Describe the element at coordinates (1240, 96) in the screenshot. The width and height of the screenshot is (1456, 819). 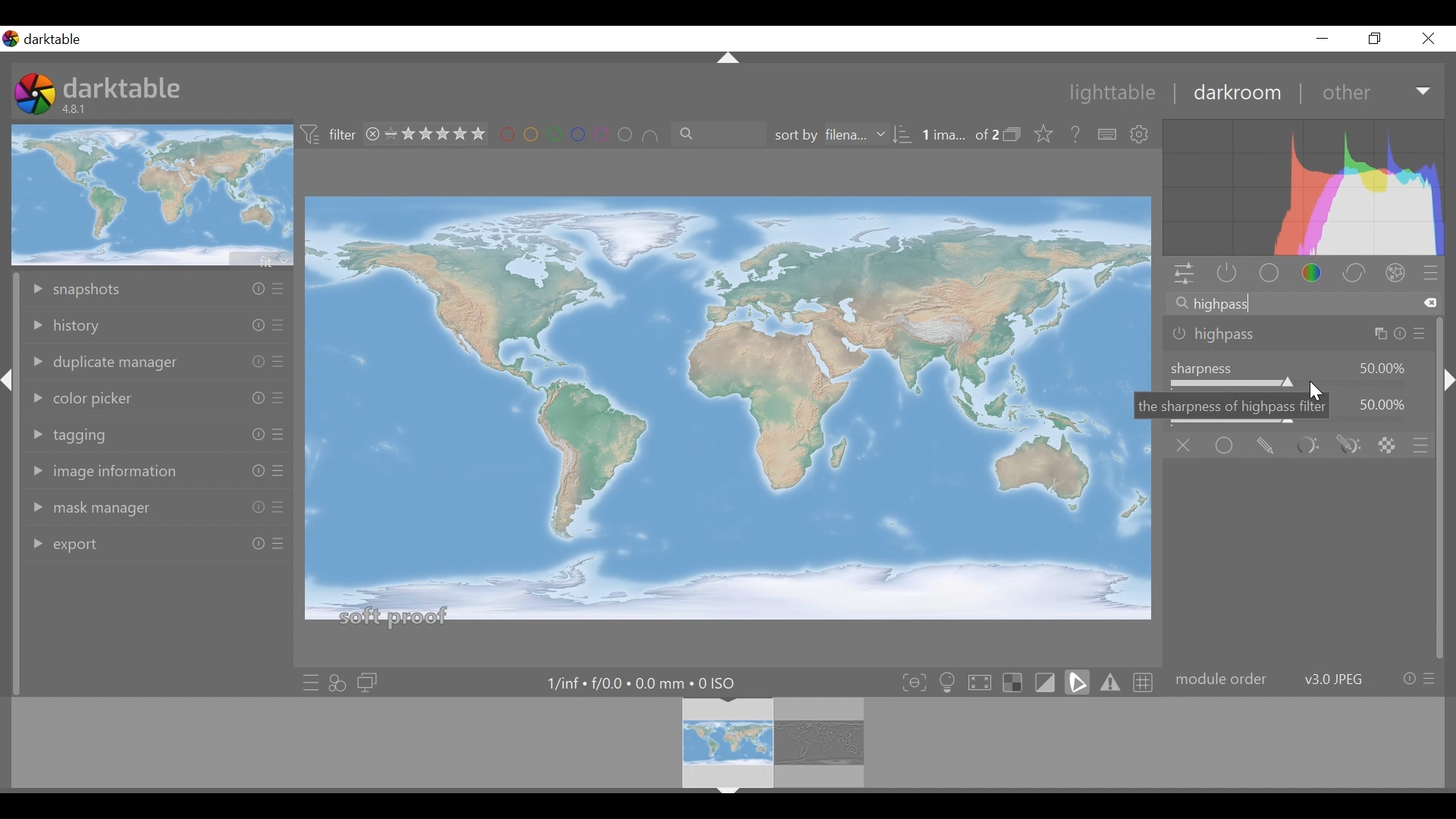
I see `darkroom` at that location.